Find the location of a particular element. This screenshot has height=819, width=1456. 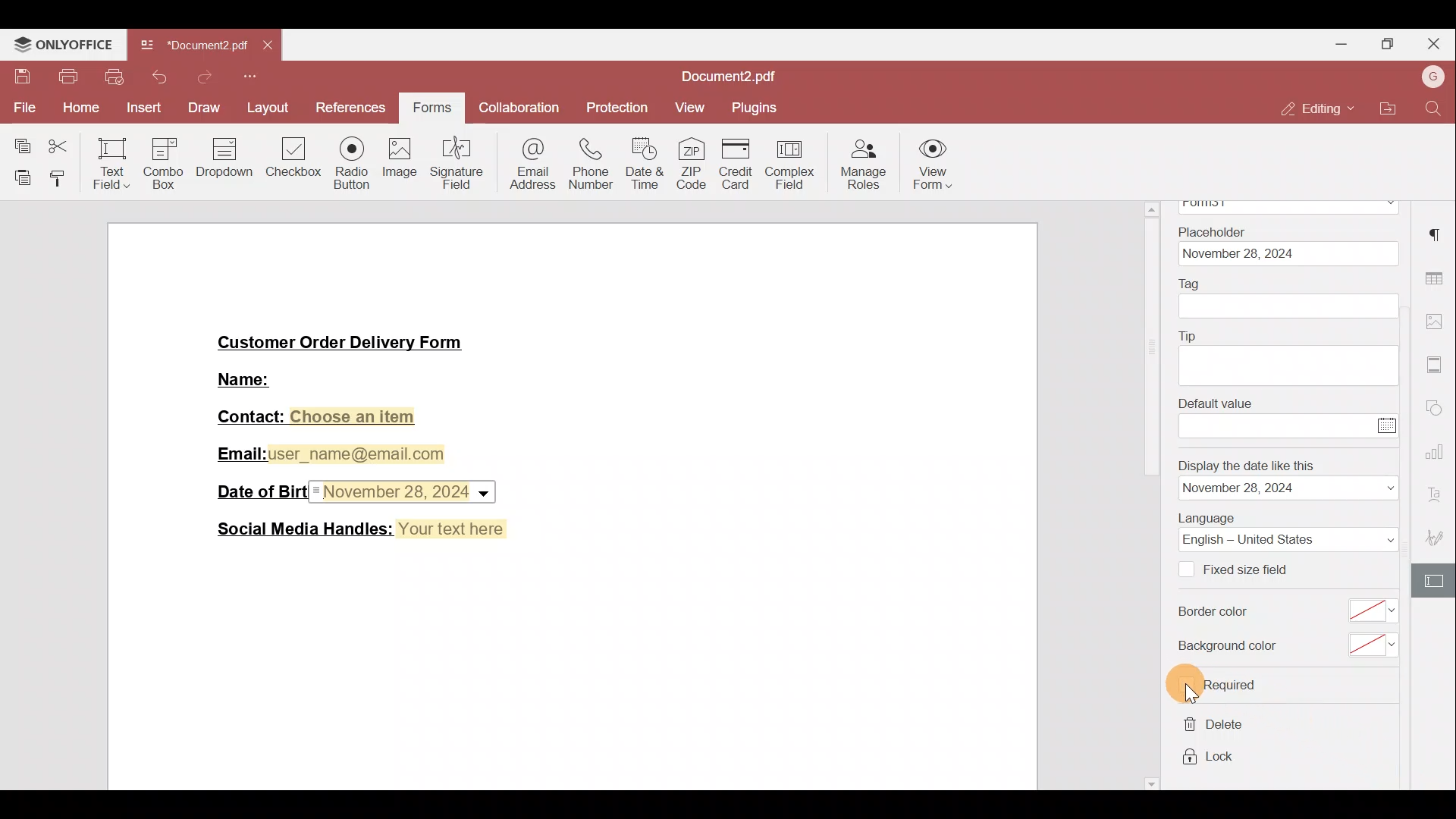

Dropdown is located at coordinates (226, 161).